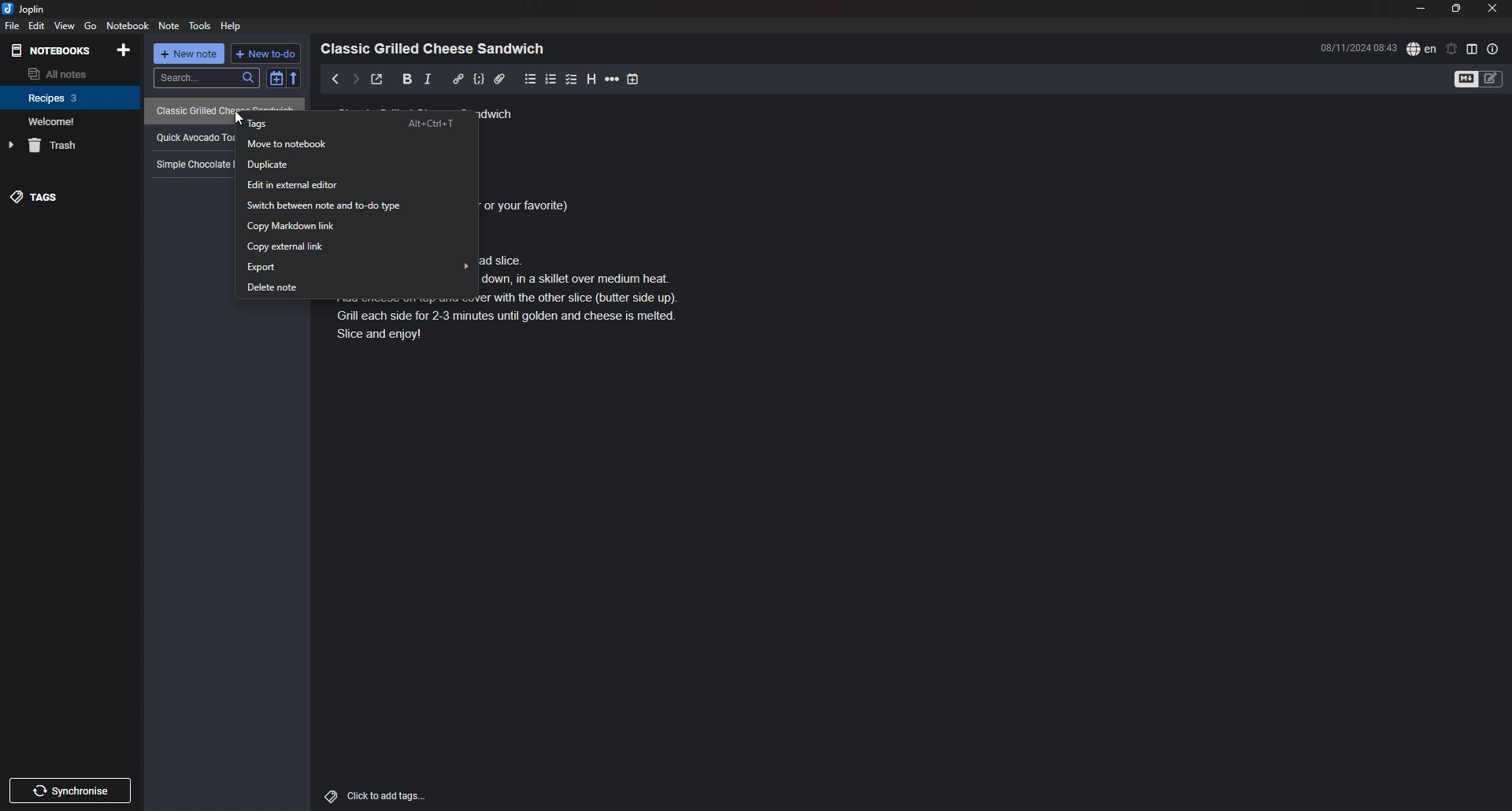 The height and width of the screenshot is (811, 1512). What do you see at coordinates (437, 49) in the screenshot?
I see `heading` at bounding box center [437, 49].